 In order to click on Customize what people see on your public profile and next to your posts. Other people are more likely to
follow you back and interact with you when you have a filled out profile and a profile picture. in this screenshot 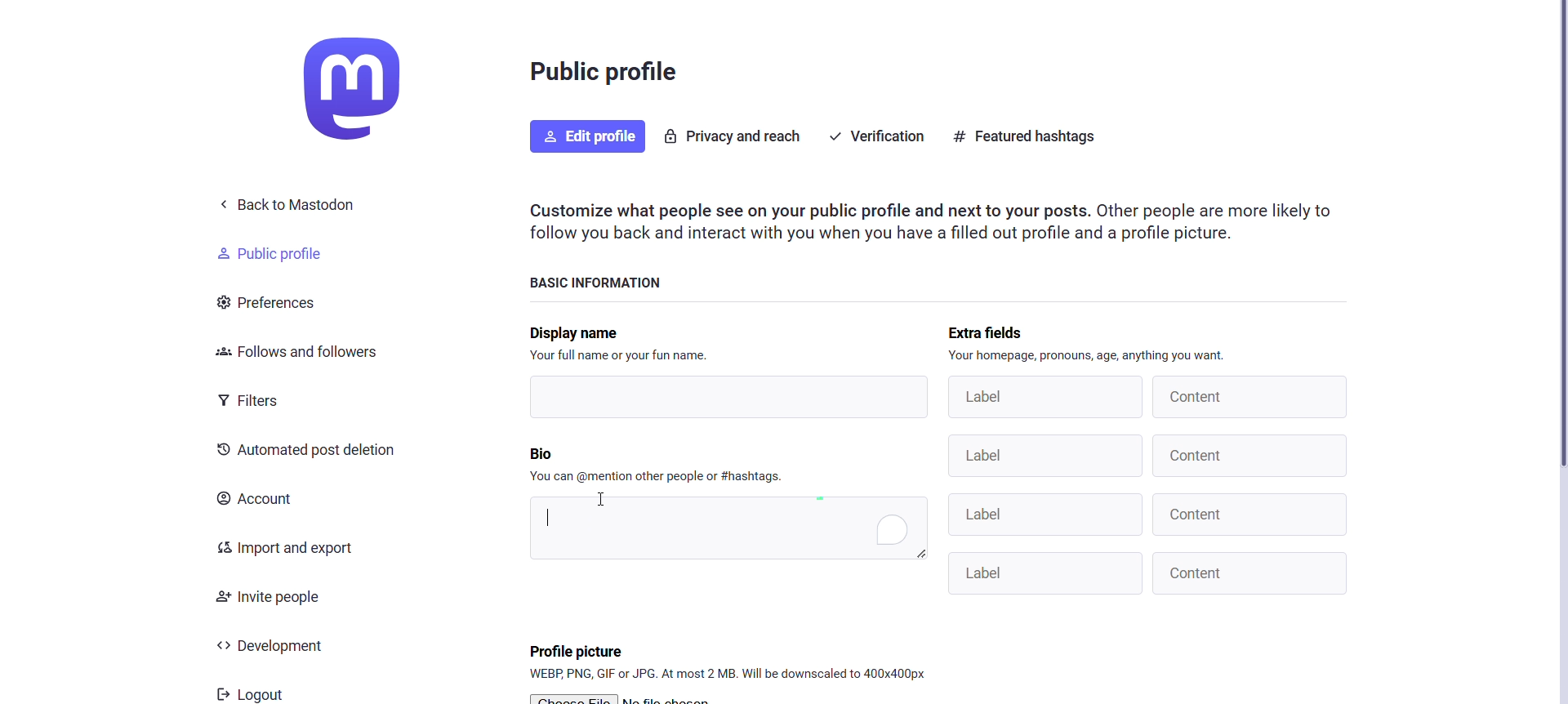, I will do `click(939, 221)`.